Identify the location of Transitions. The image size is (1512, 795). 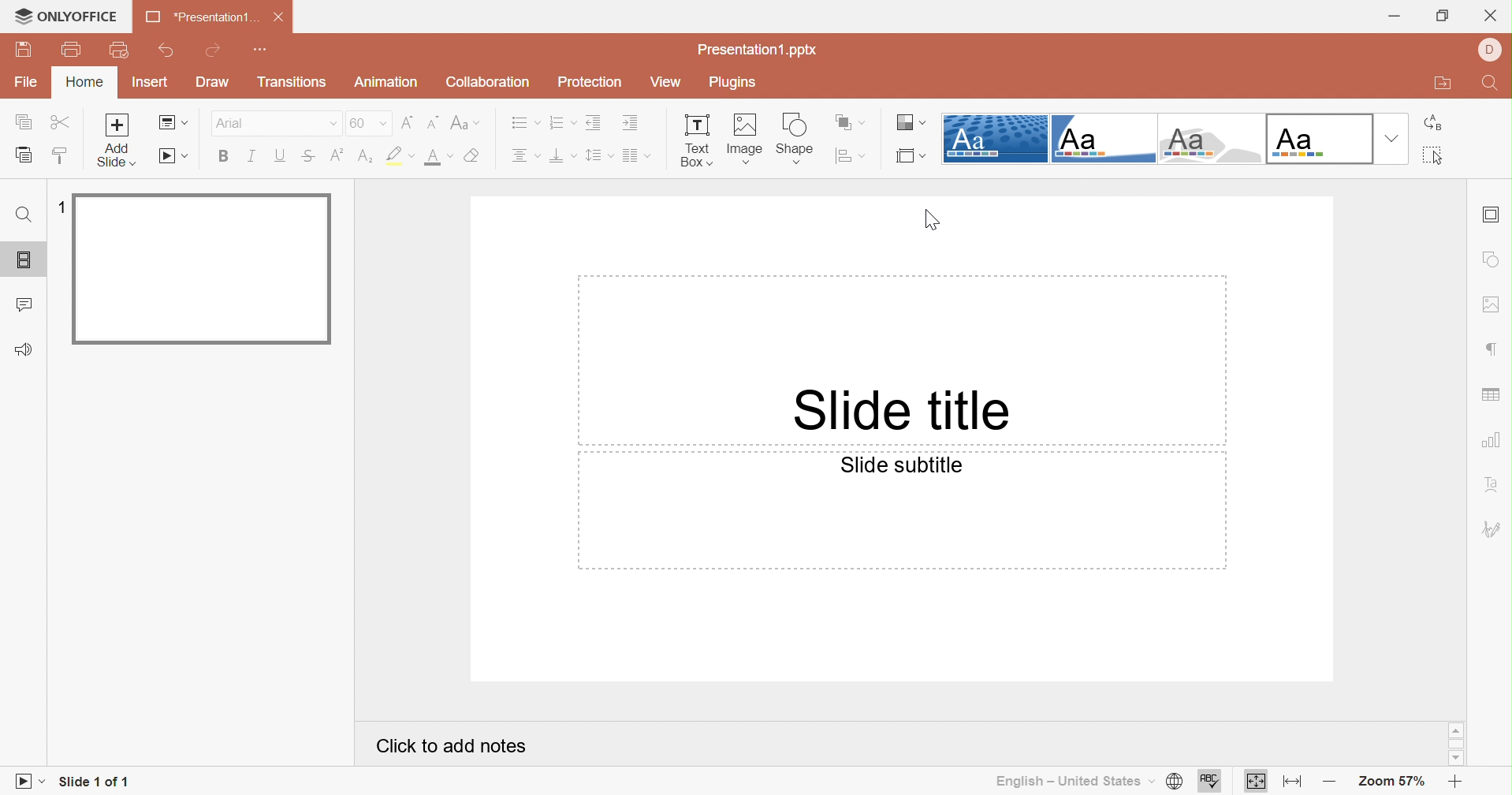
(289, 82).